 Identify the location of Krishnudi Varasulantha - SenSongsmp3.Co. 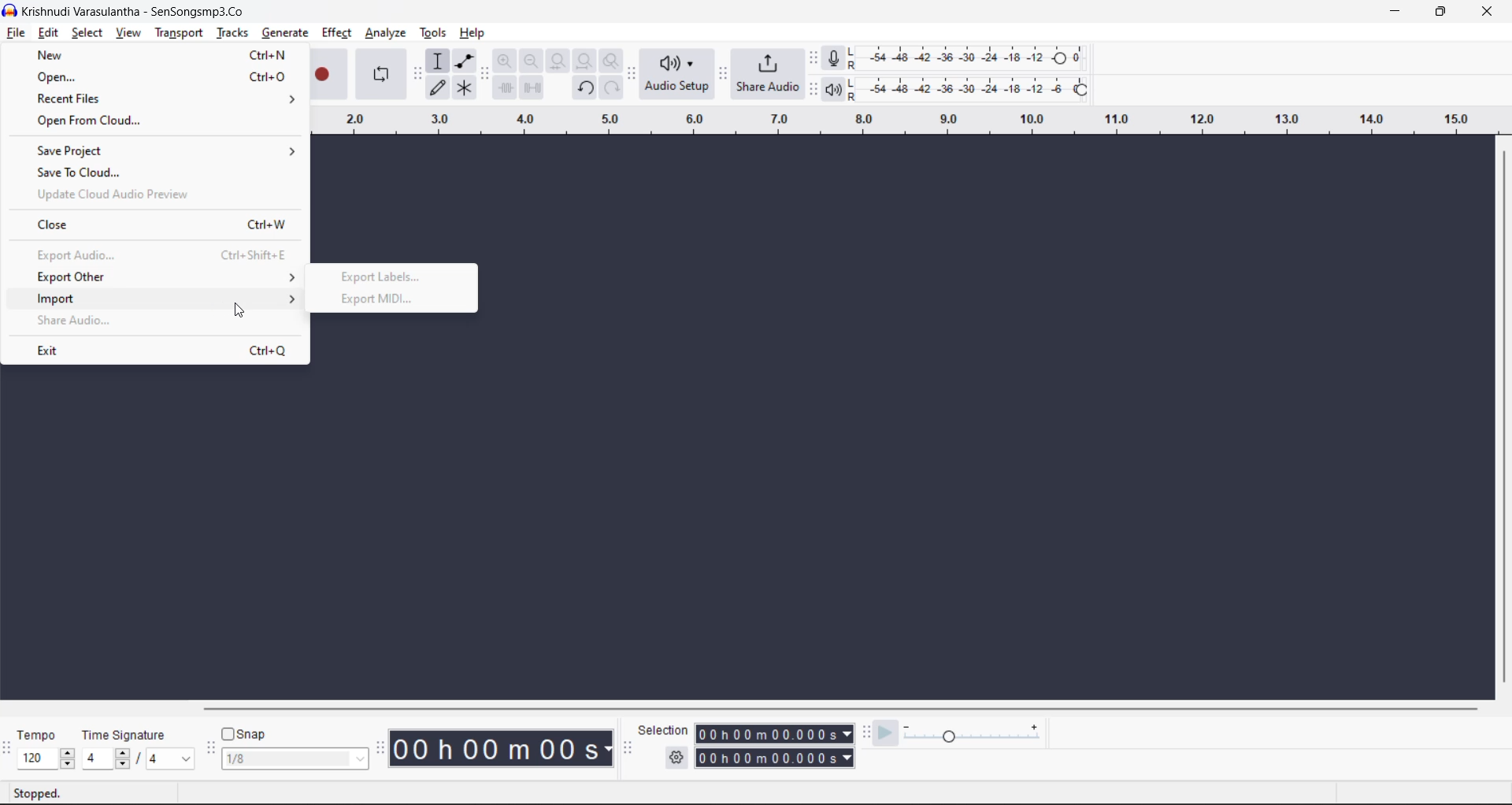
(131, 12).